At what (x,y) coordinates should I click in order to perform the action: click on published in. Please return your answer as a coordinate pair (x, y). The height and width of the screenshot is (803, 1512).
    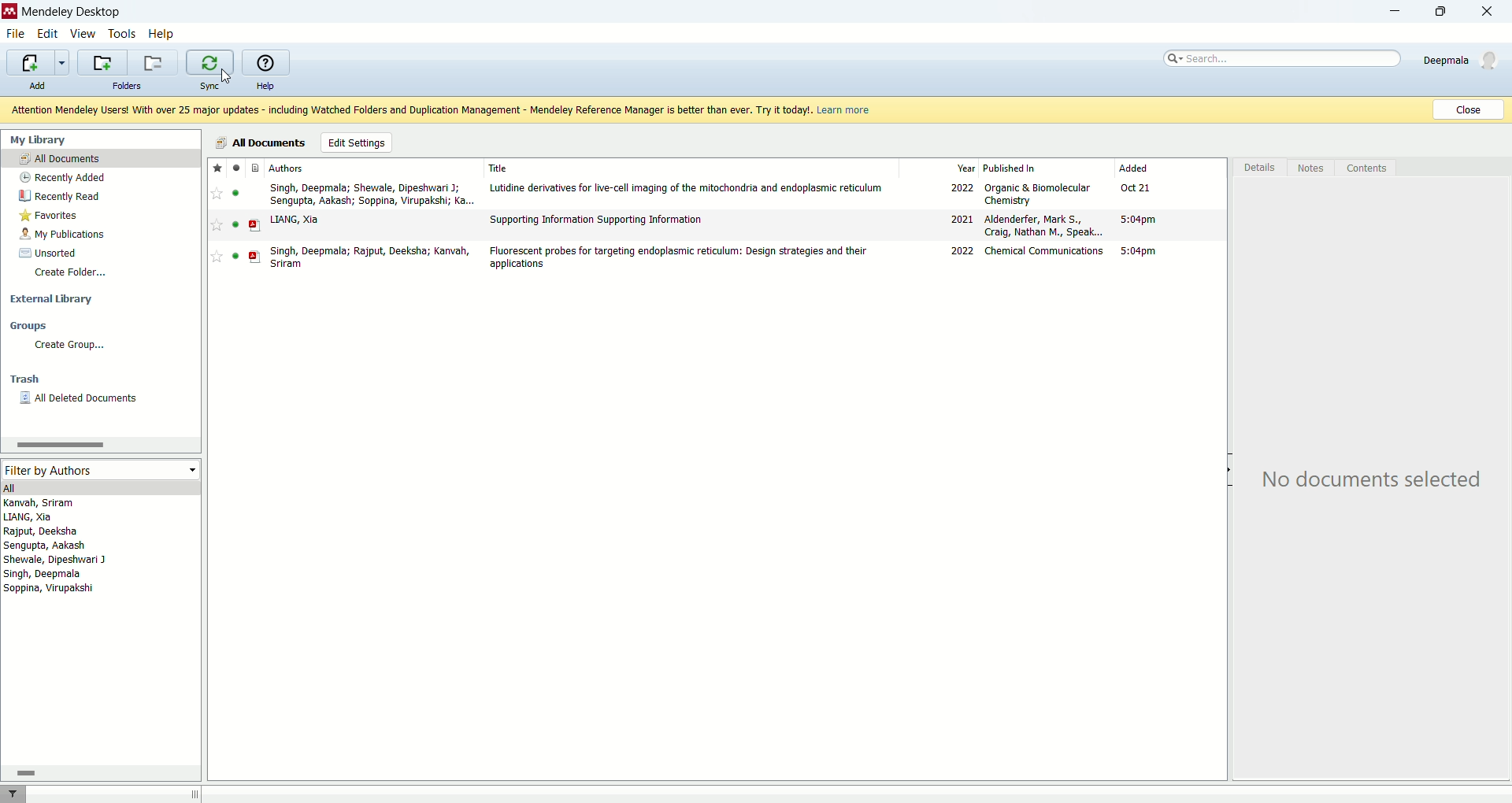
    Looking at the image, I should click on (1043, 168).